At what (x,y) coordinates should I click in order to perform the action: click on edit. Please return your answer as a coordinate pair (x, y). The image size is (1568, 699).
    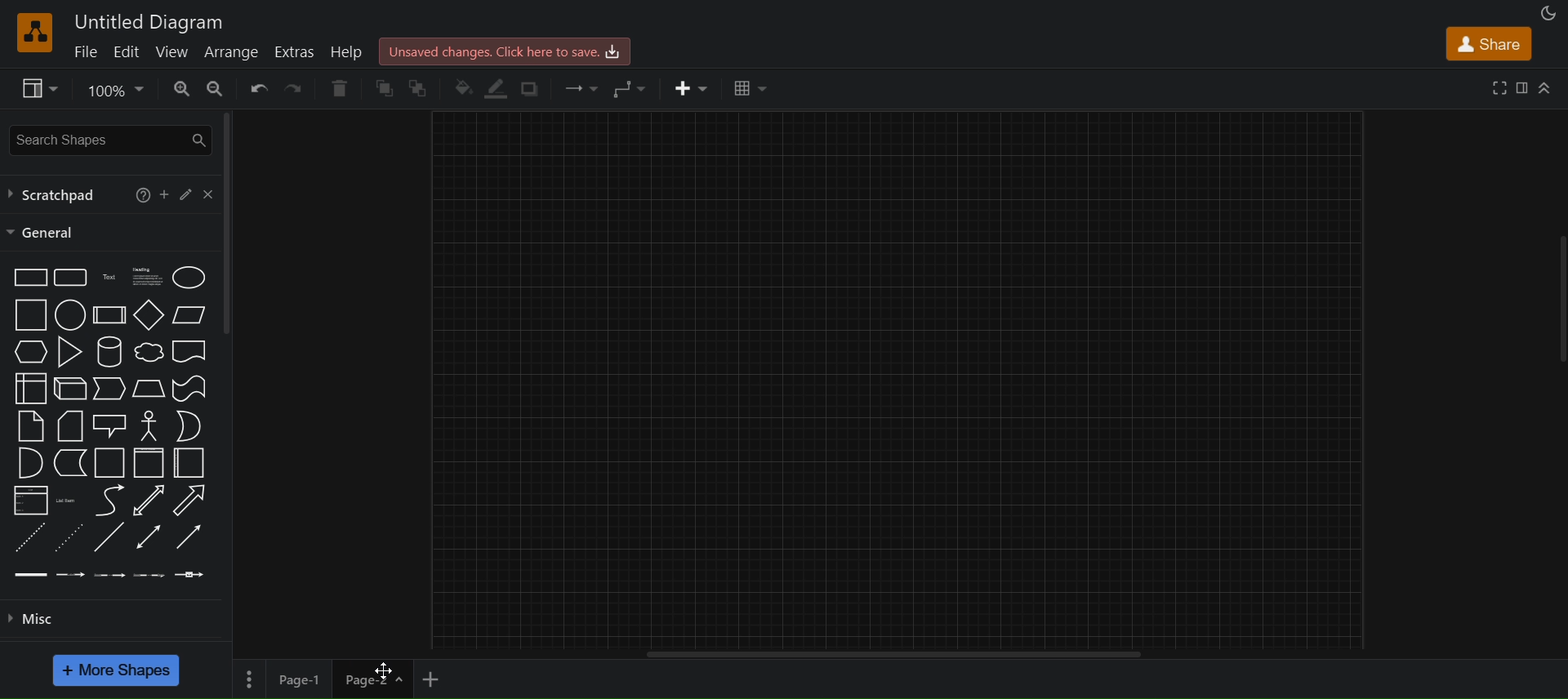
    Looking at the image, I should click on (127, 52).